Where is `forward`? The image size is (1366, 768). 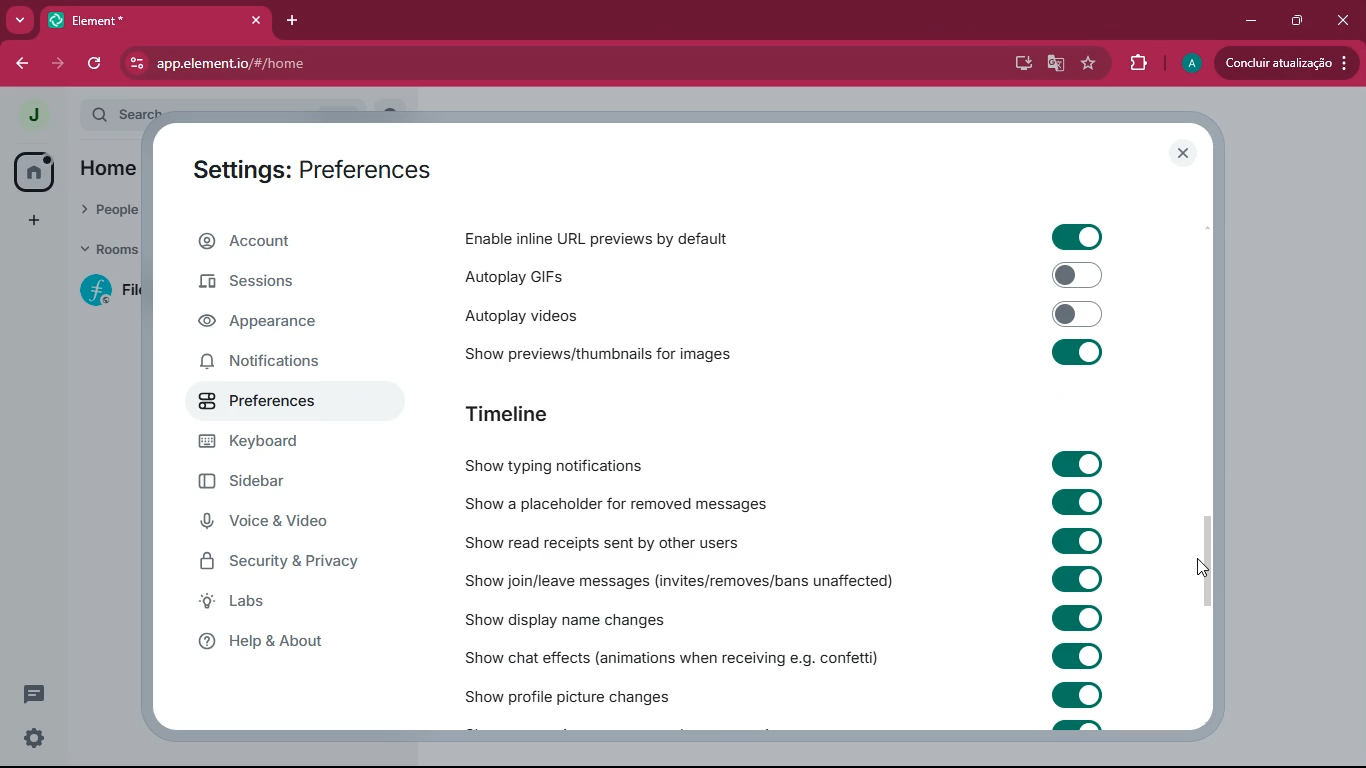
forward is located at coordinates (60, 64).